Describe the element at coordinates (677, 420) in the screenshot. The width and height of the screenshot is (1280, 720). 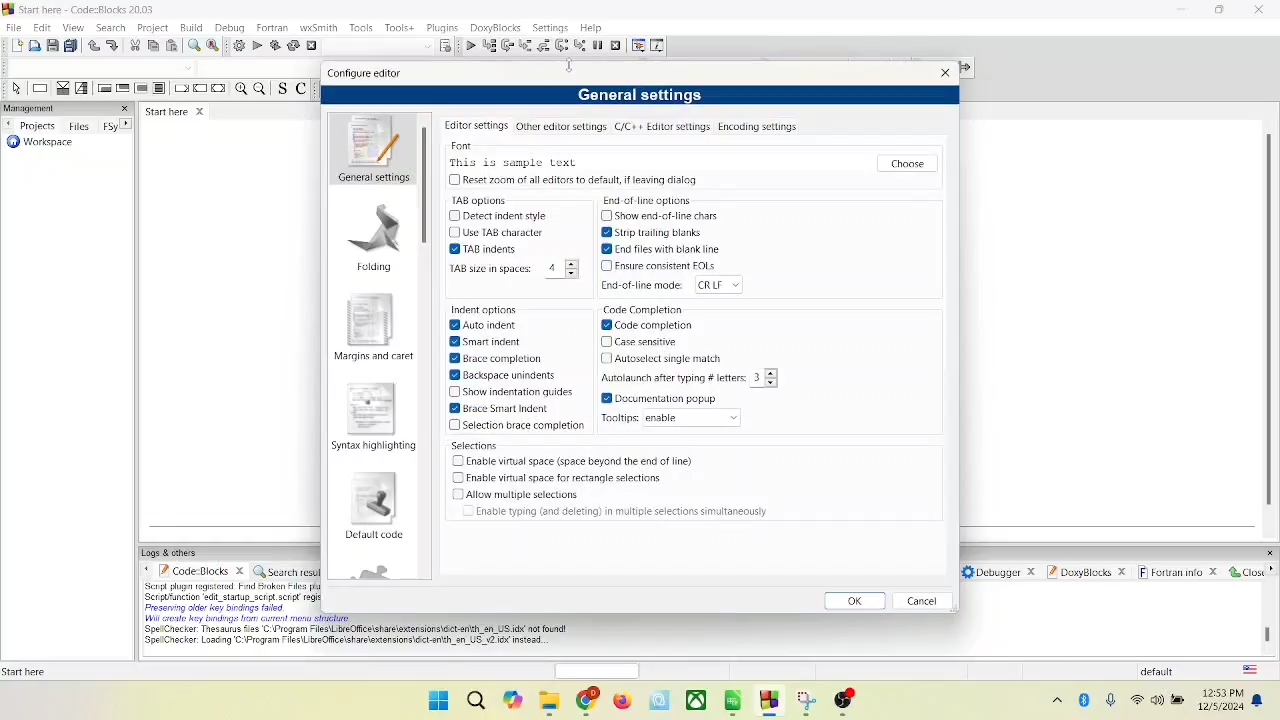
I see `tooltips` at that location.